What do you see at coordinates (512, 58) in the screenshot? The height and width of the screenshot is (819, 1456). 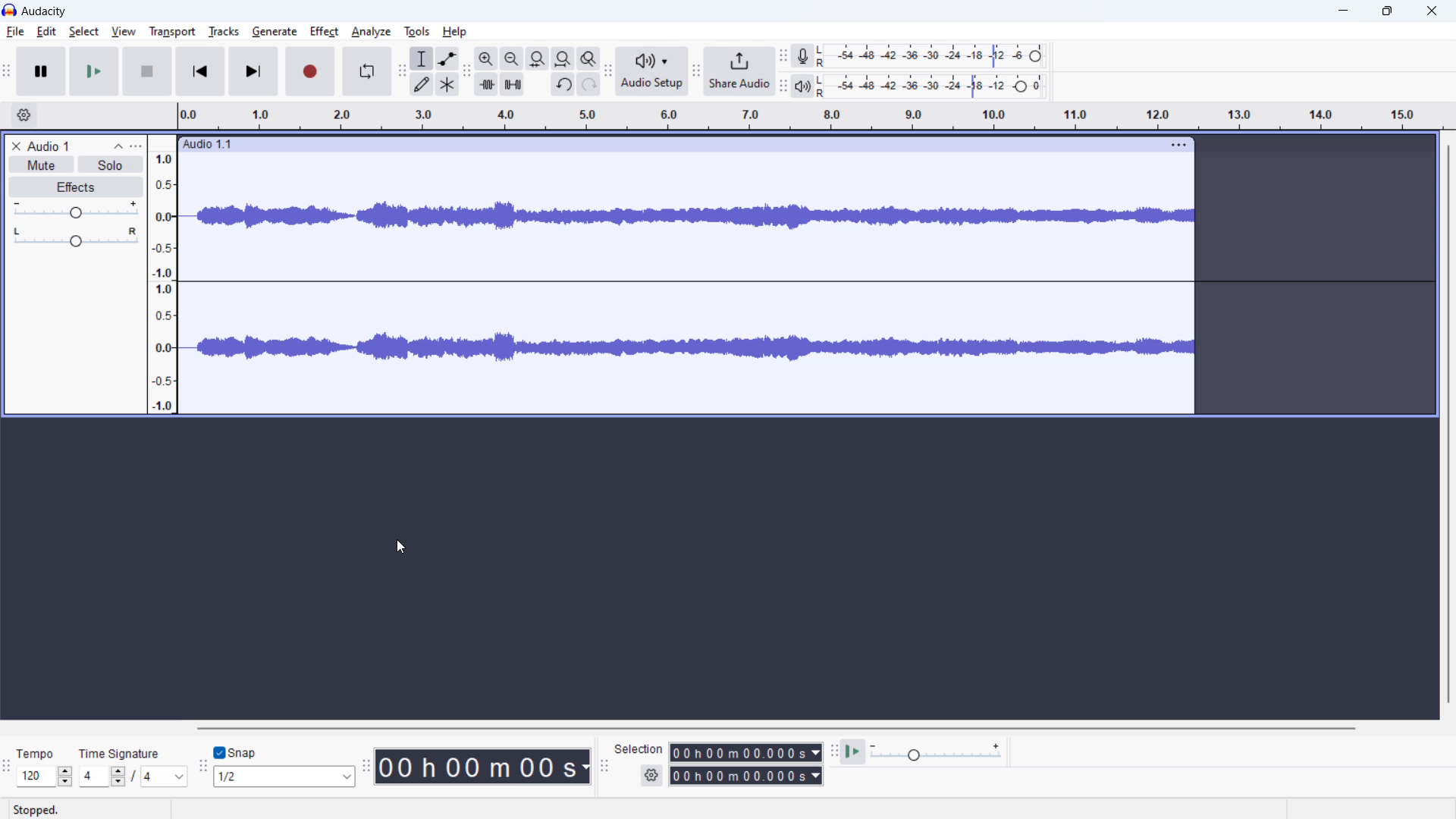 I see `zoom out` at bounding box center [512, 58].